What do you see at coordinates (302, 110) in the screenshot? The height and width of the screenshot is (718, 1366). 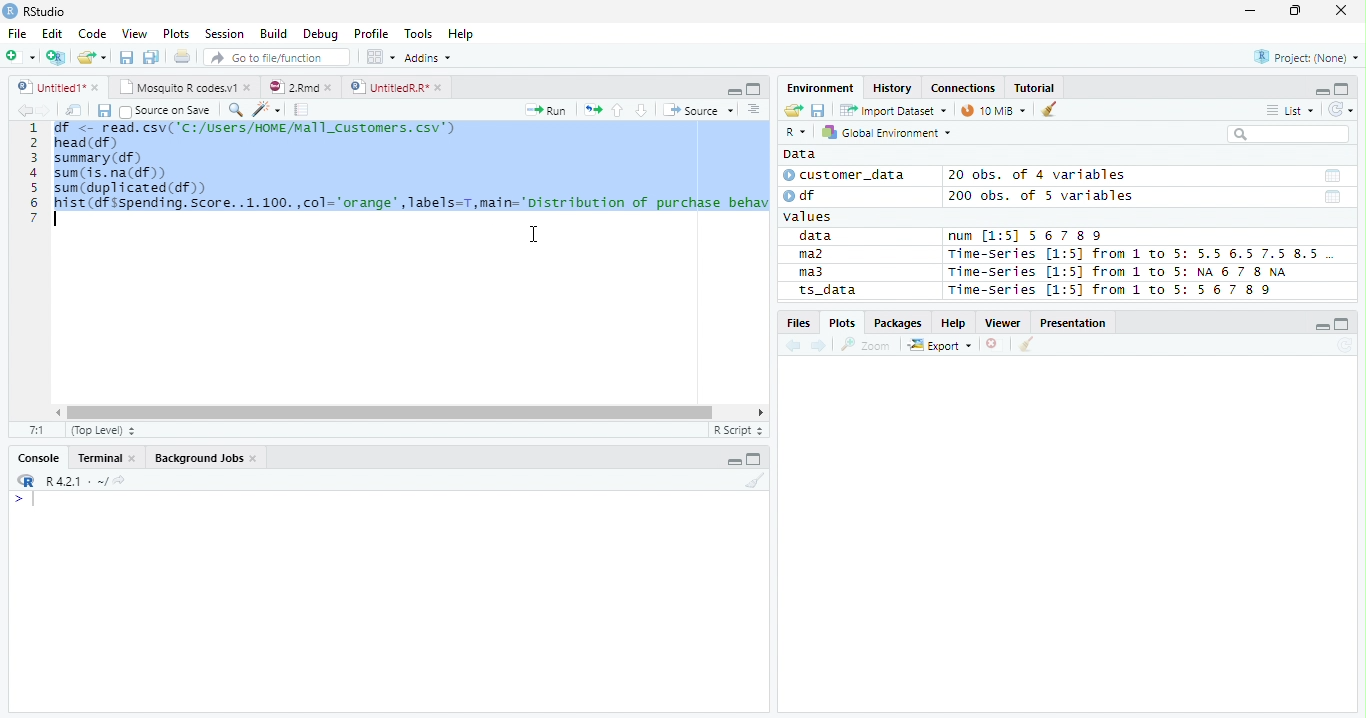 I see `Compile Report` at bounding box center [302, 110].